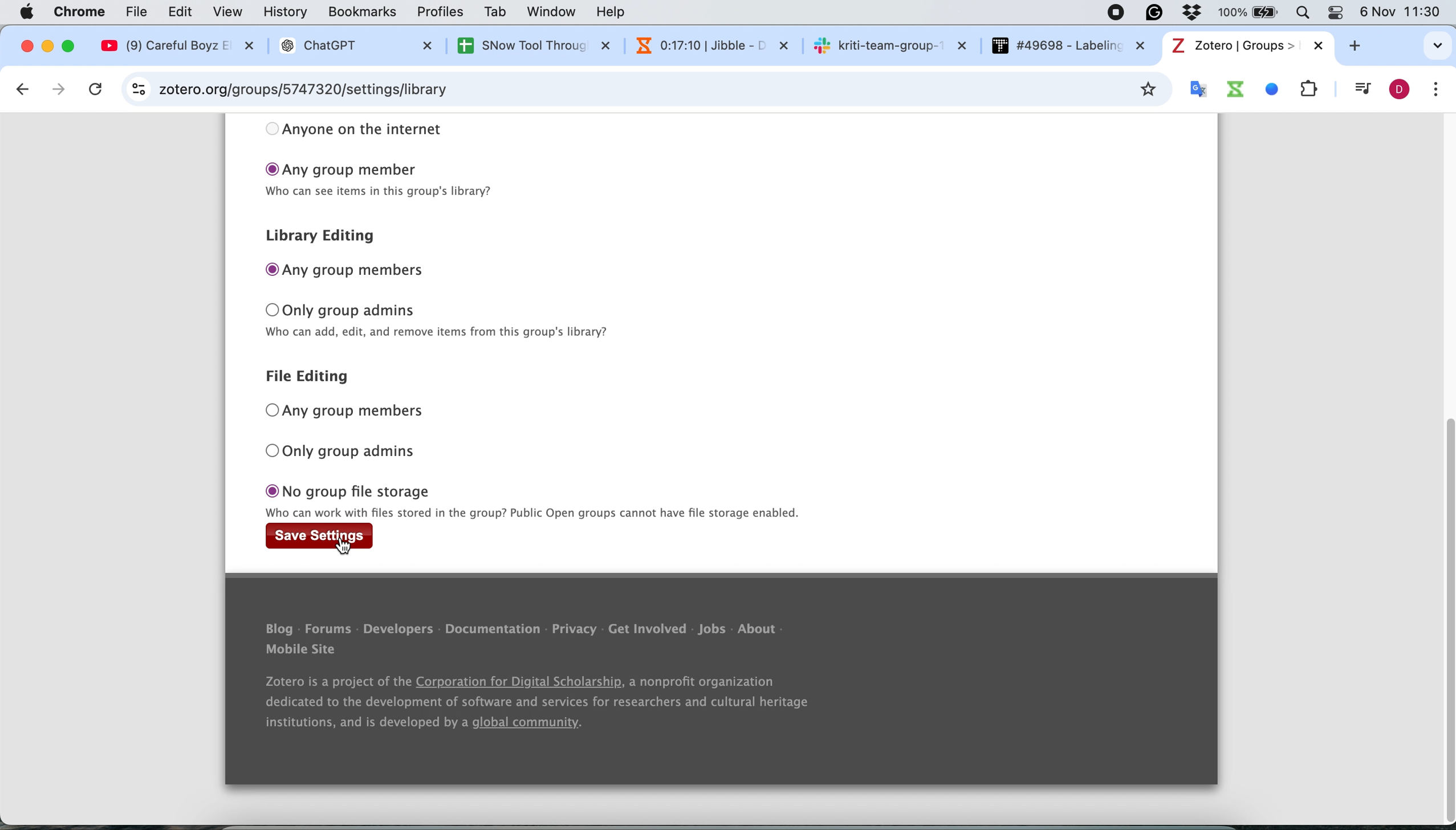 Image resolution: width=1456 pixels, height=830 pixels. I want to click on customise, so click(1441, 90).